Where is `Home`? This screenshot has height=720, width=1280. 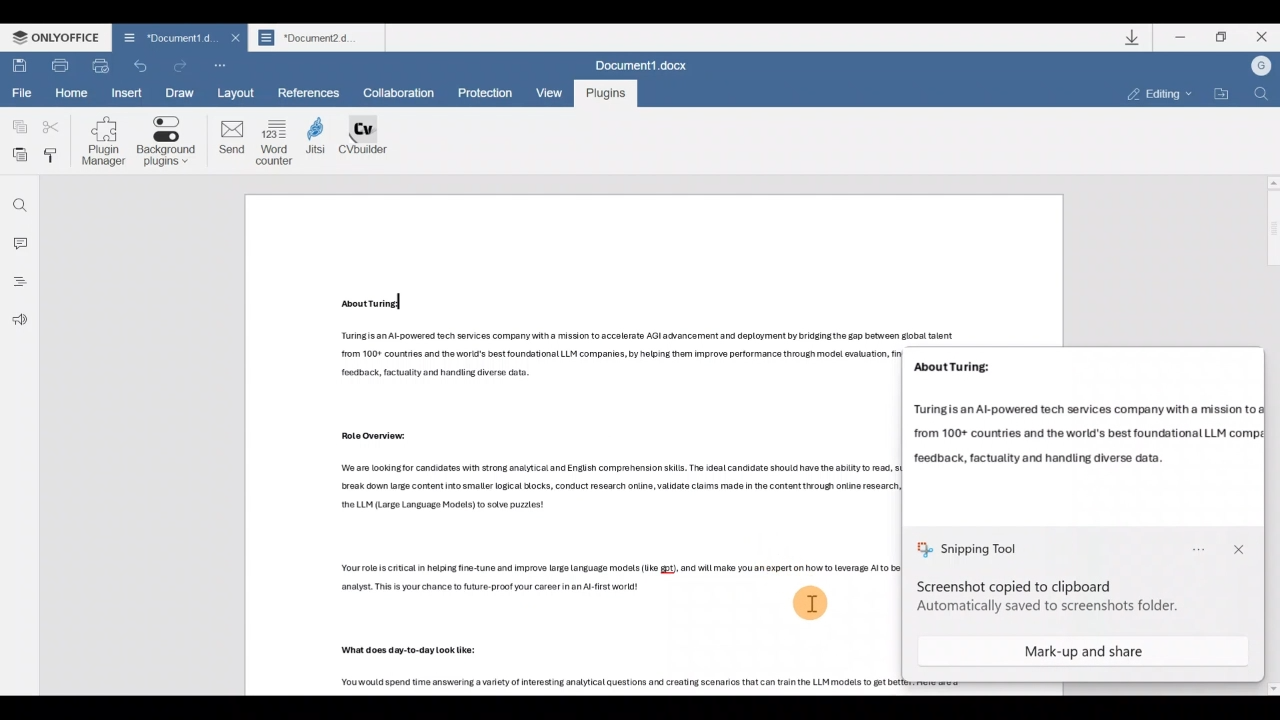
Home is located at coordinates (74, 94).